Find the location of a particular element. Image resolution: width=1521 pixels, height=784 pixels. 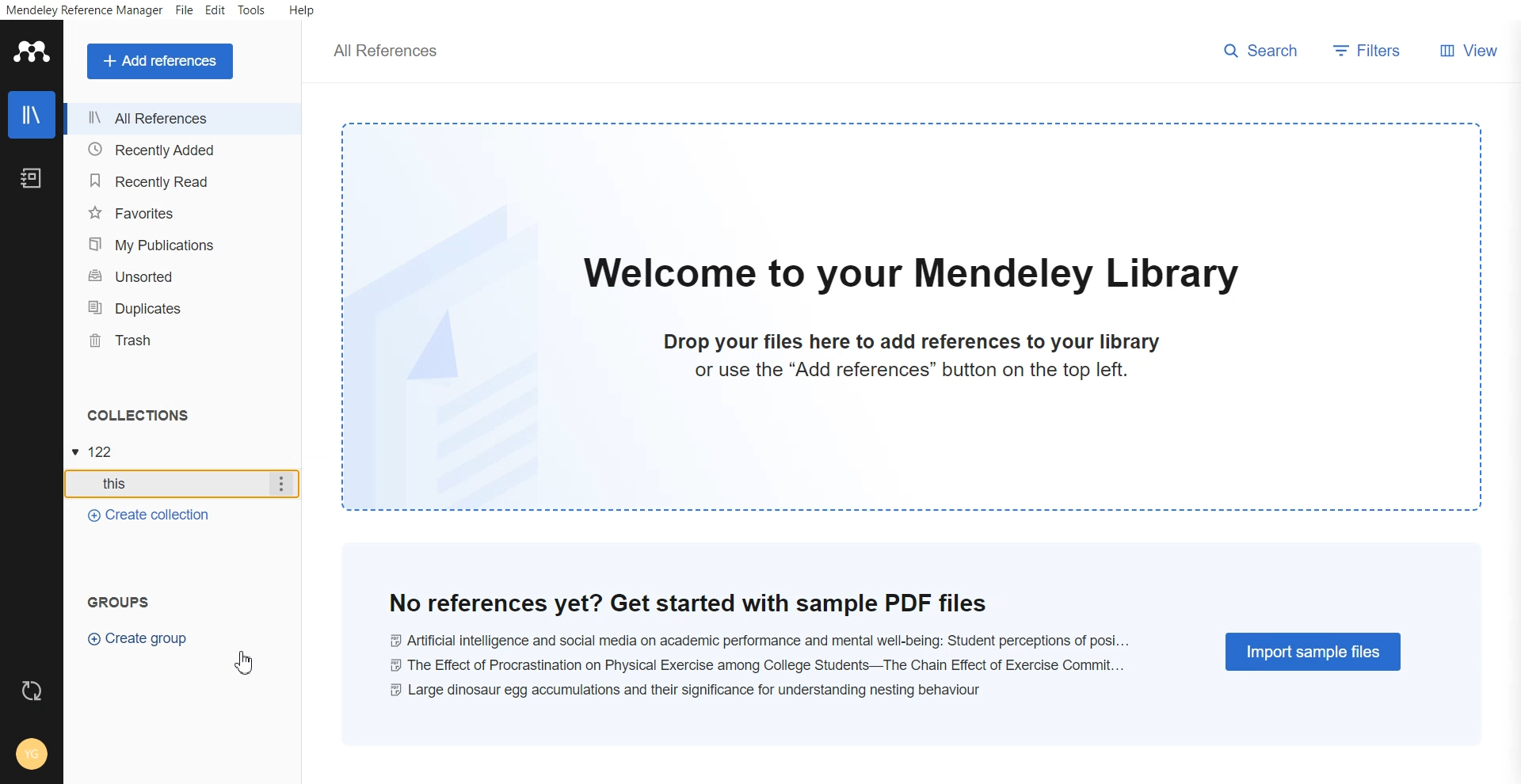

welcome to our mendeley library is located at coordinates (911, 274).